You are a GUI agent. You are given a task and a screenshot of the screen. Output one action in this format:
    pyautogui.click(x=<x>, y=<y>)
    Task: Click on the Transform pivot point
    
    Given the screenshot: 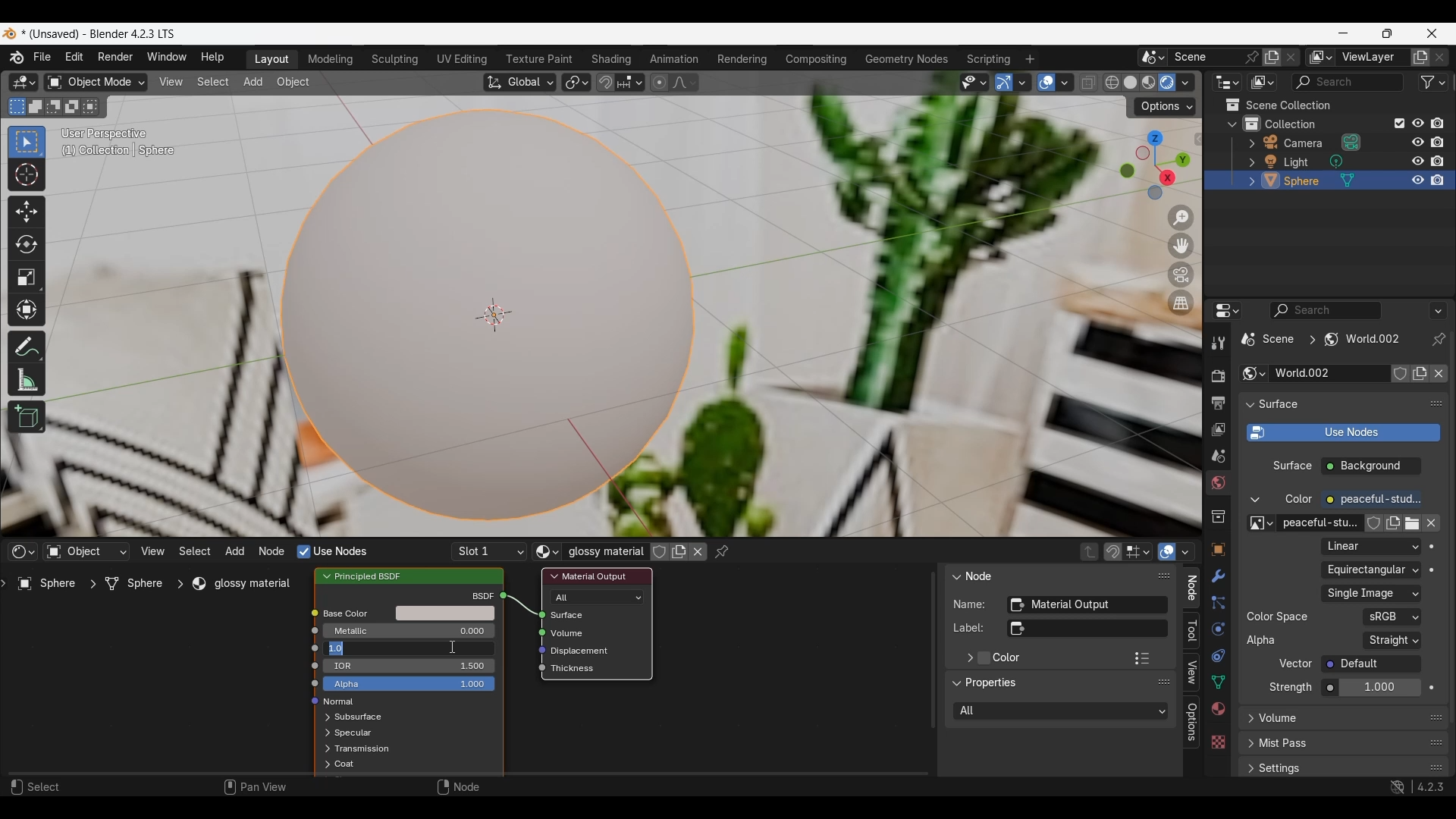 What is the action you would take?
    pyautogui.click(x=576, y=83)
    